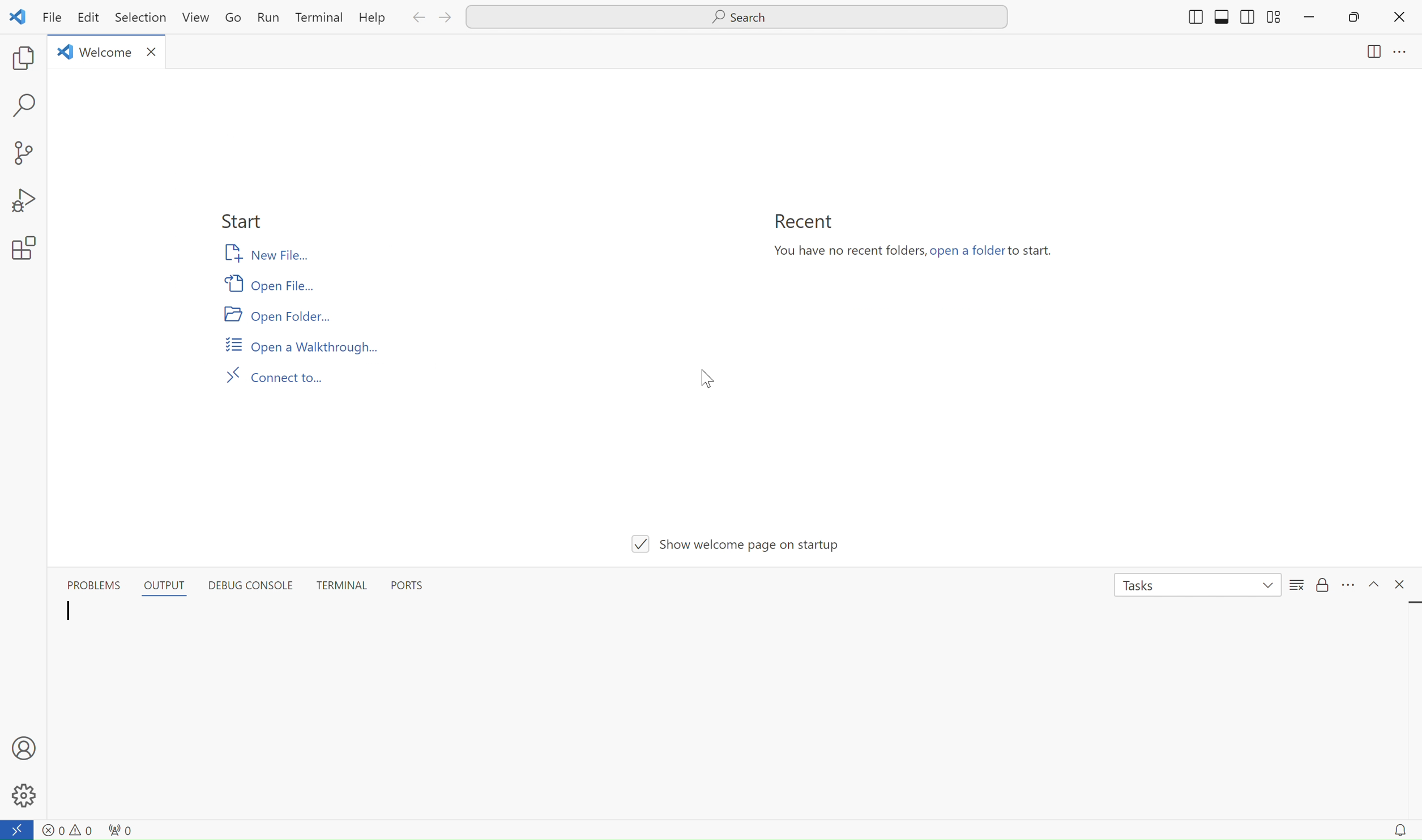  I want to click on Connect to, so click(275, 377).